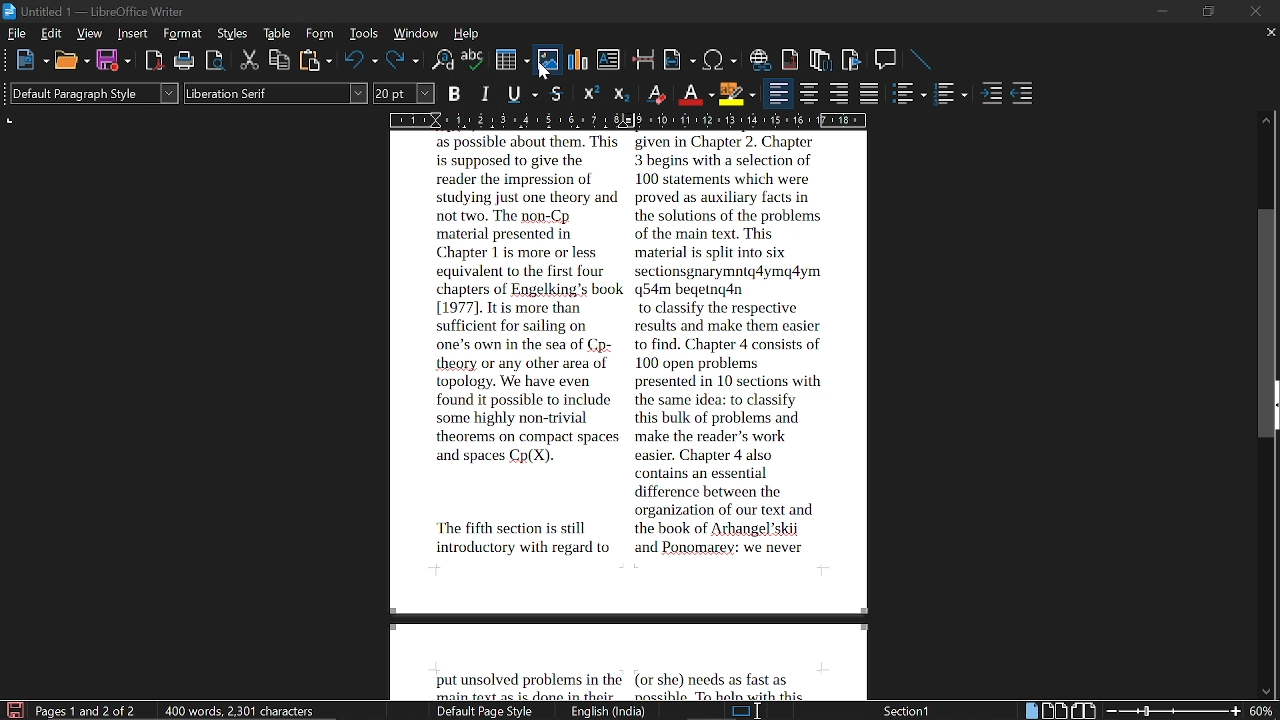 Image resolution: width=1280 pixels, height=720 pixels. Describe the element at coordinates (851, 60) in the screenshot. I see `insret bookmark` at that location.